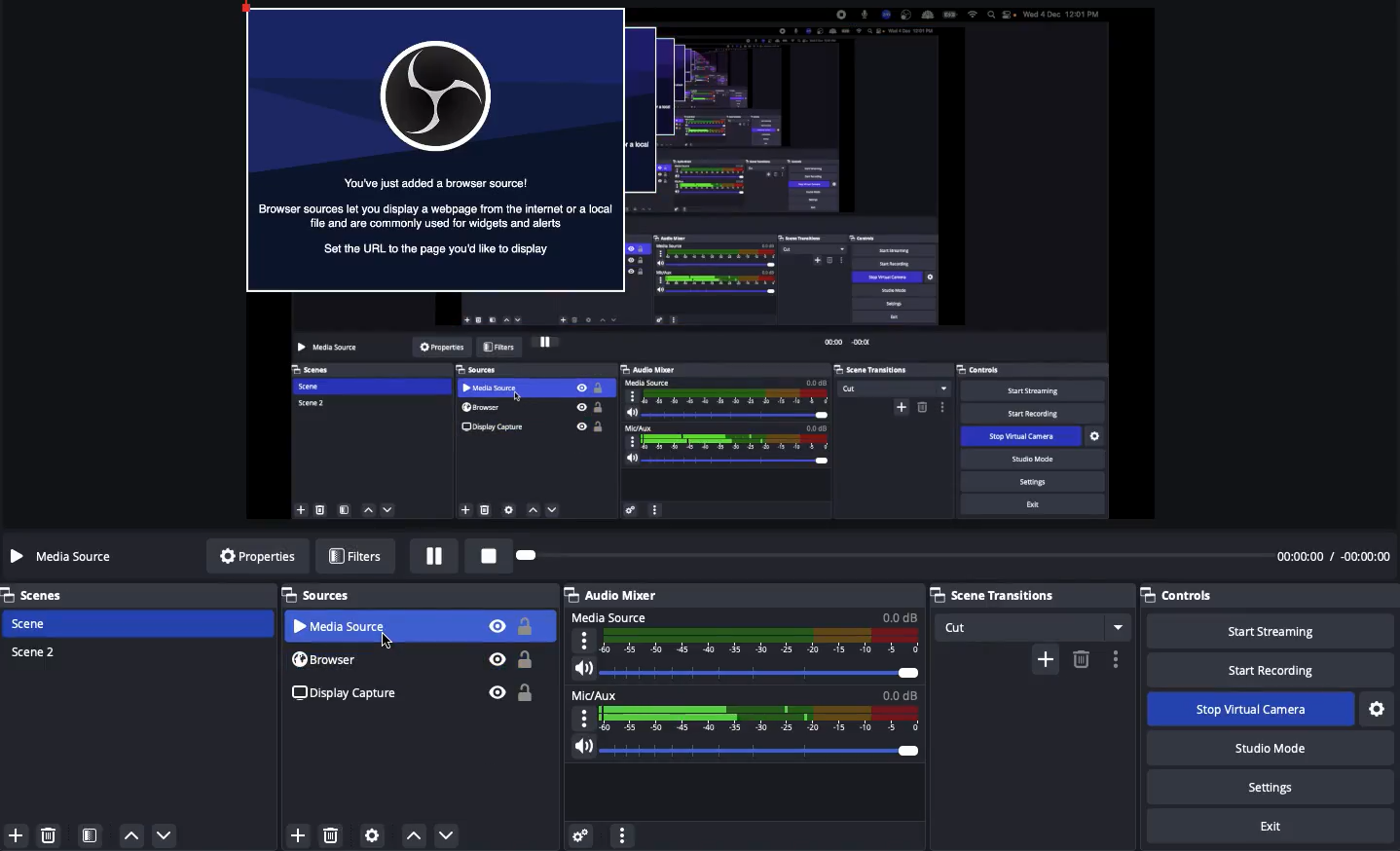 This screenshot has width=1400, height=851. What do you see at coordinates (625, 834) in the screenshot?
I see `more option` at bounding box center [625, 834].